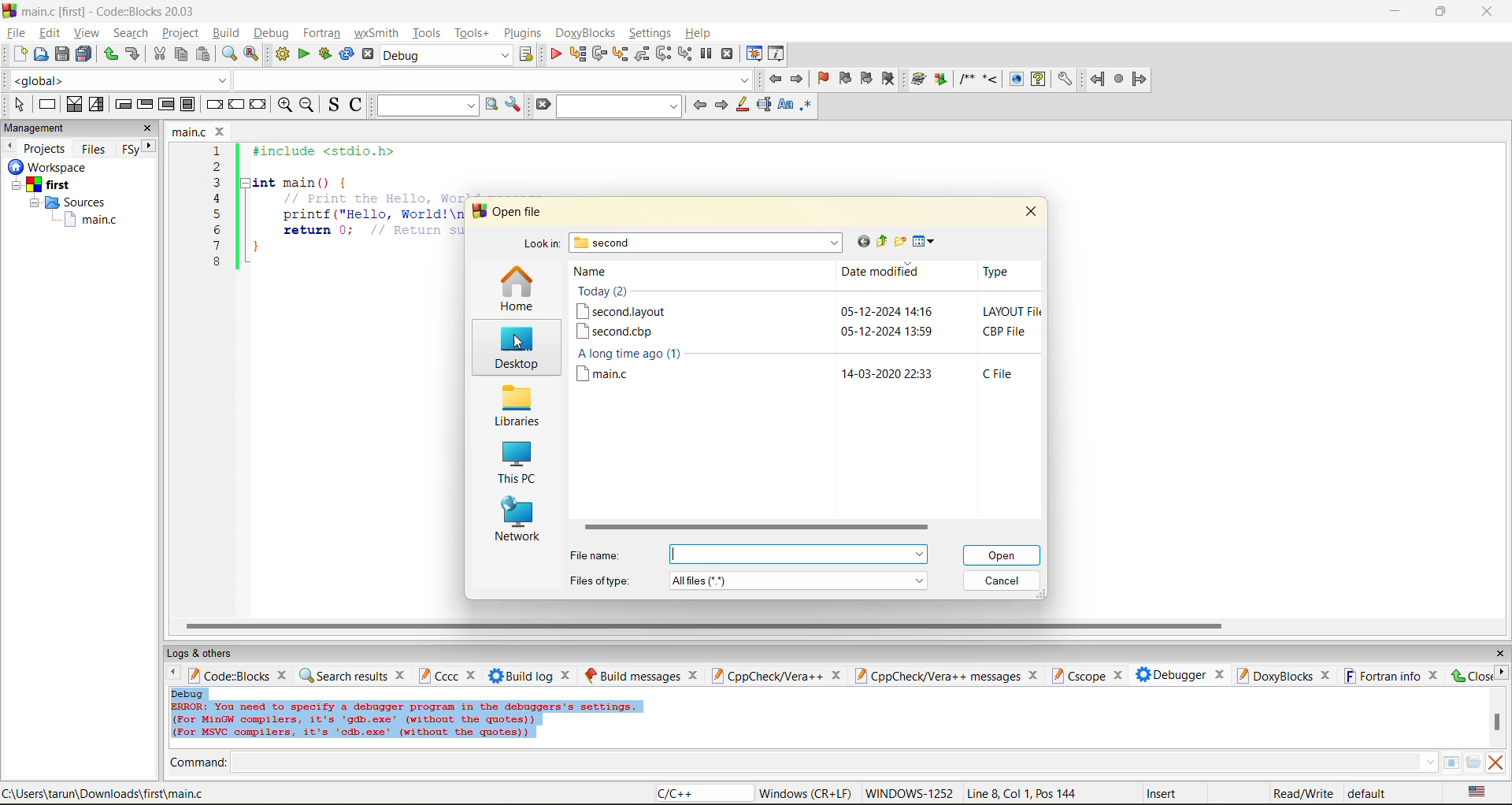  I want to click on menu, so click(798, 555).